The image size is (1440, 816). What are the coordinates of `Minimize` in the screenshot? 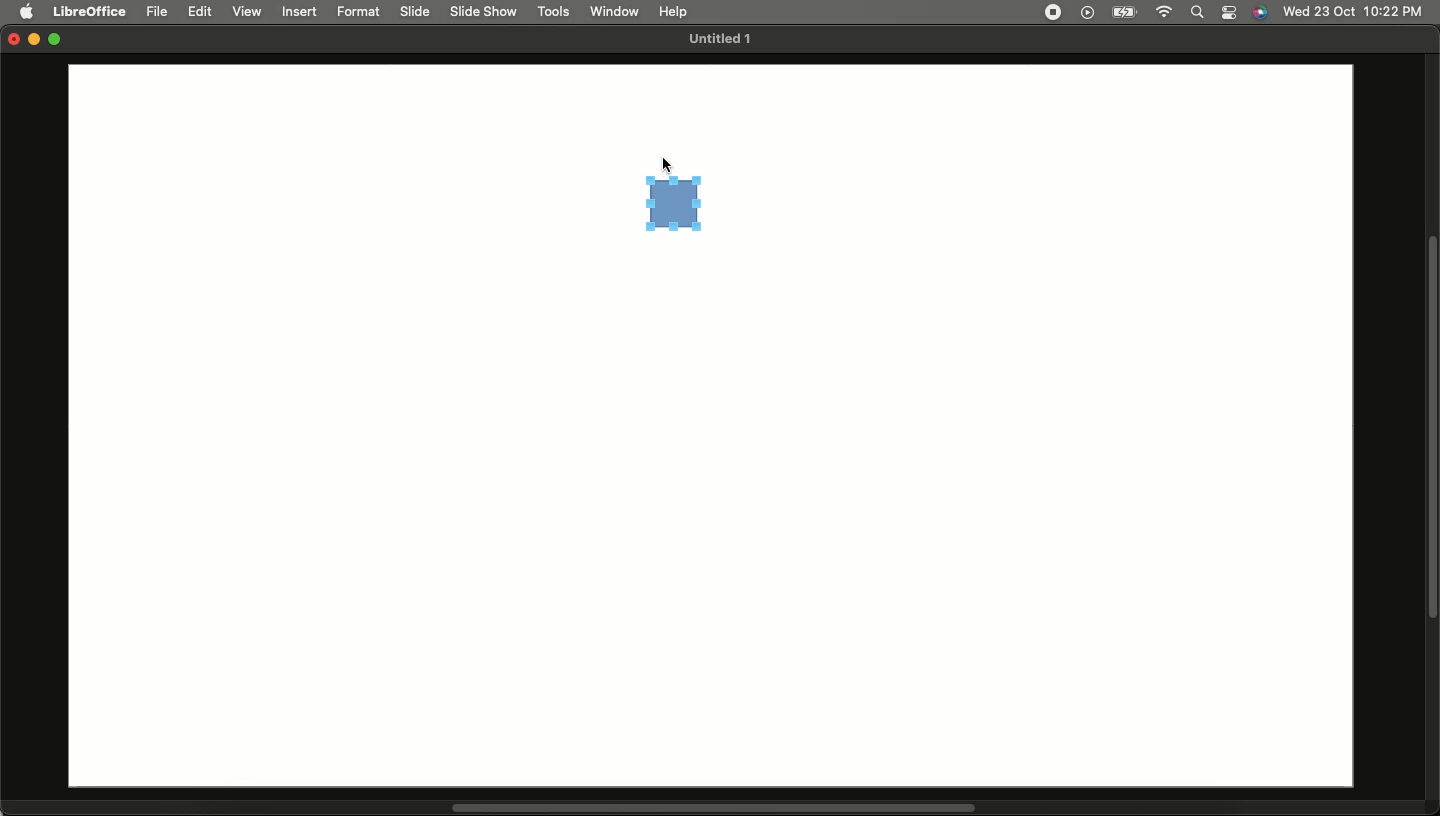 It's located at (35, 41).